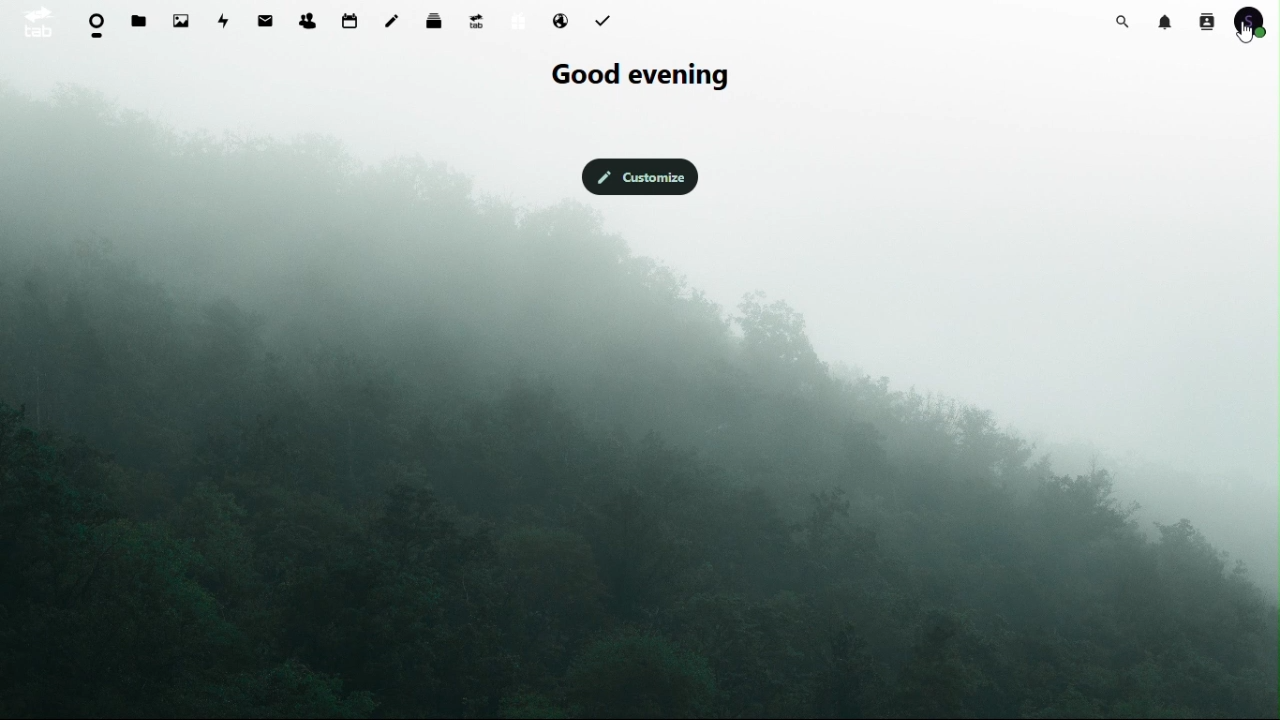 The width and height of the screenshot is (1280, 720). What do you see at coordinates (637, 76) in the screenshot?
I see `Good evening` at bounding box center [637, 76].